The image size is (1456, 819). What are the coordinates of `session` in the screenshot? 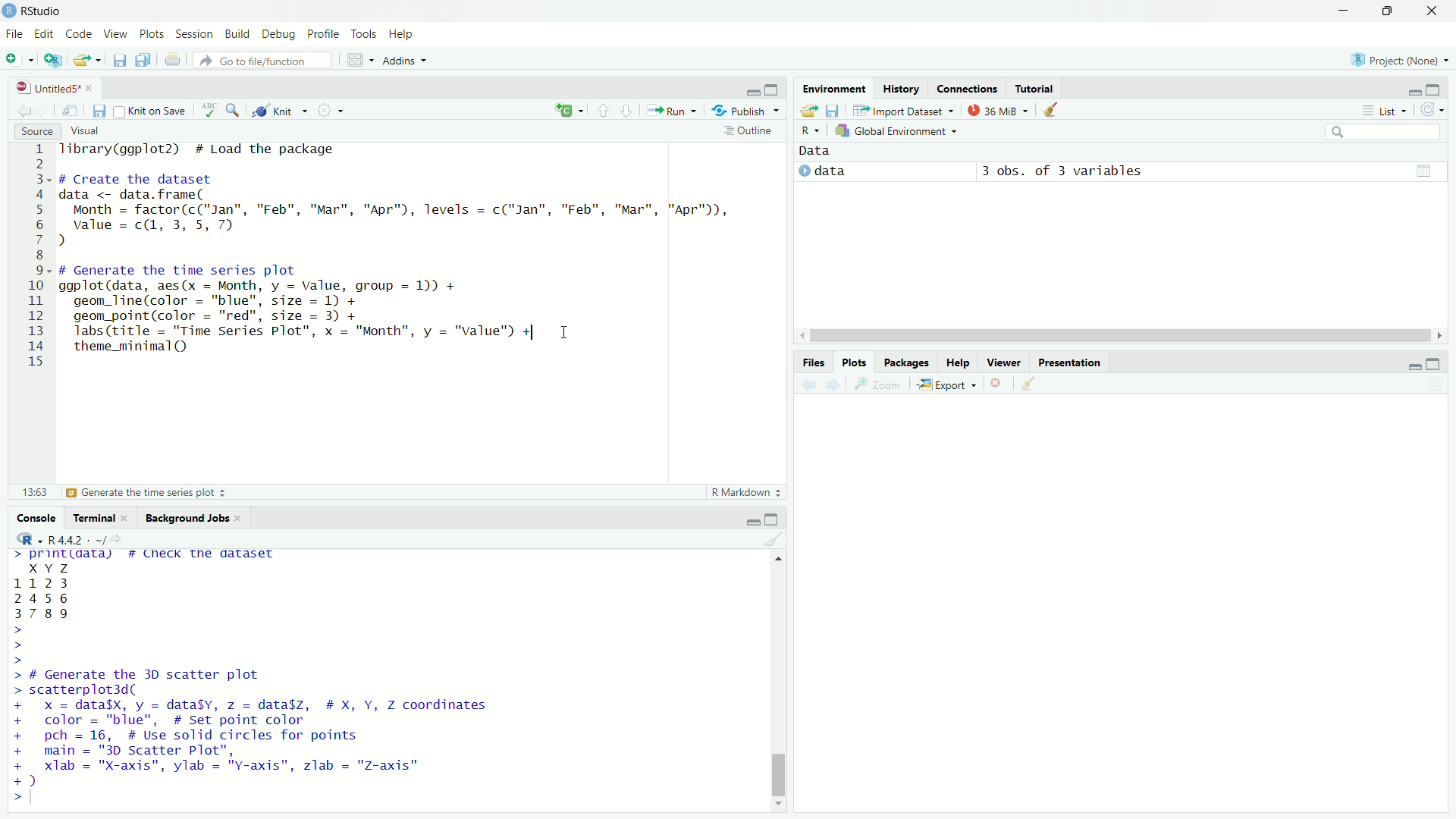 It's located at (196, 35).